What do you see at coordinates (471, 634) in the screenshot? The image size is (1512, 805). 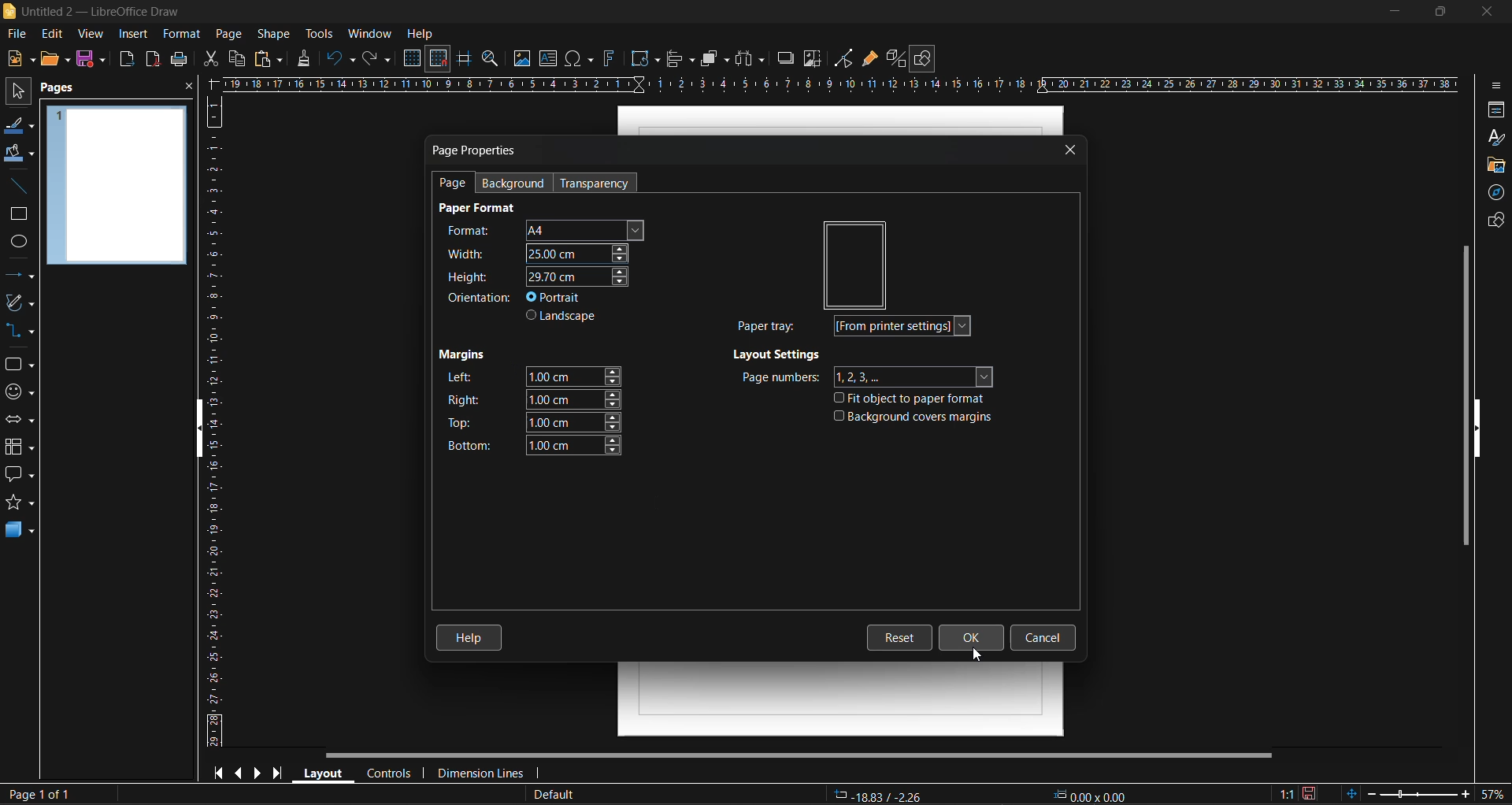 I see `help` at bounding box center [471, 634].